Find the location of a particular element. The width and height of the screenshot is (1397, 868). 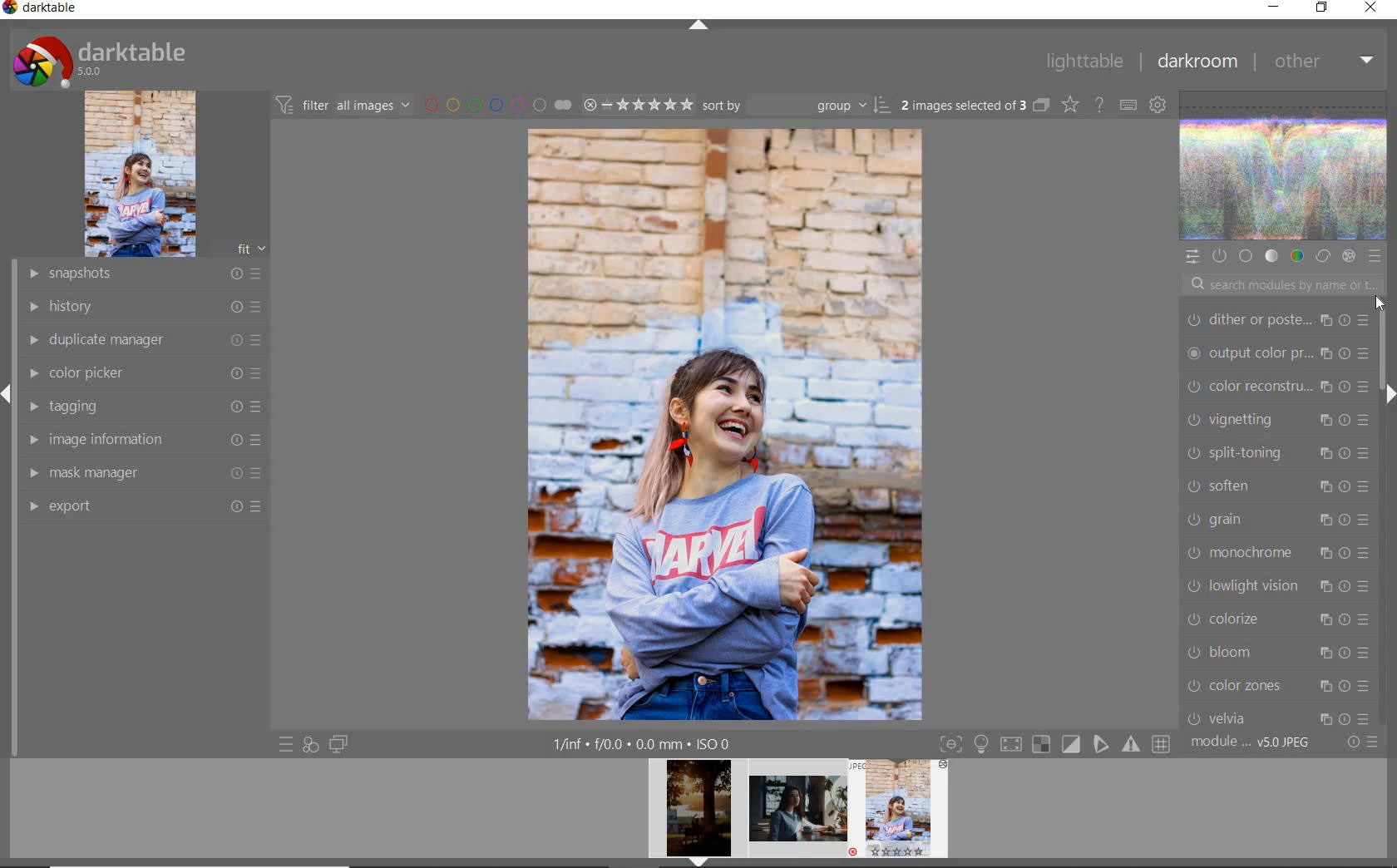

rotate is located at coordinates (1281, 619).